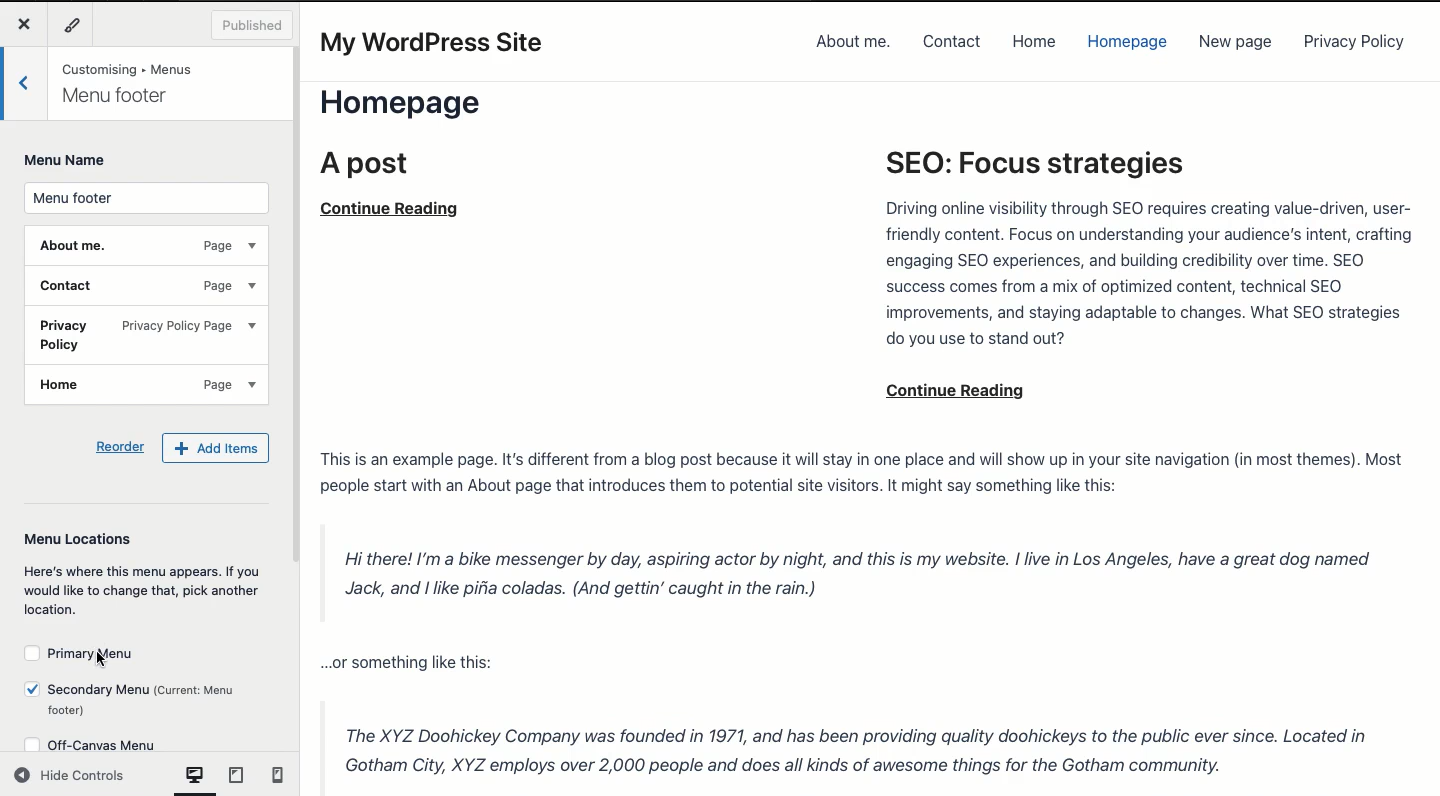  What do you see at coordinates (217, 448) in the screenshot?
I see `Add items` at bounding box center [217, 448].